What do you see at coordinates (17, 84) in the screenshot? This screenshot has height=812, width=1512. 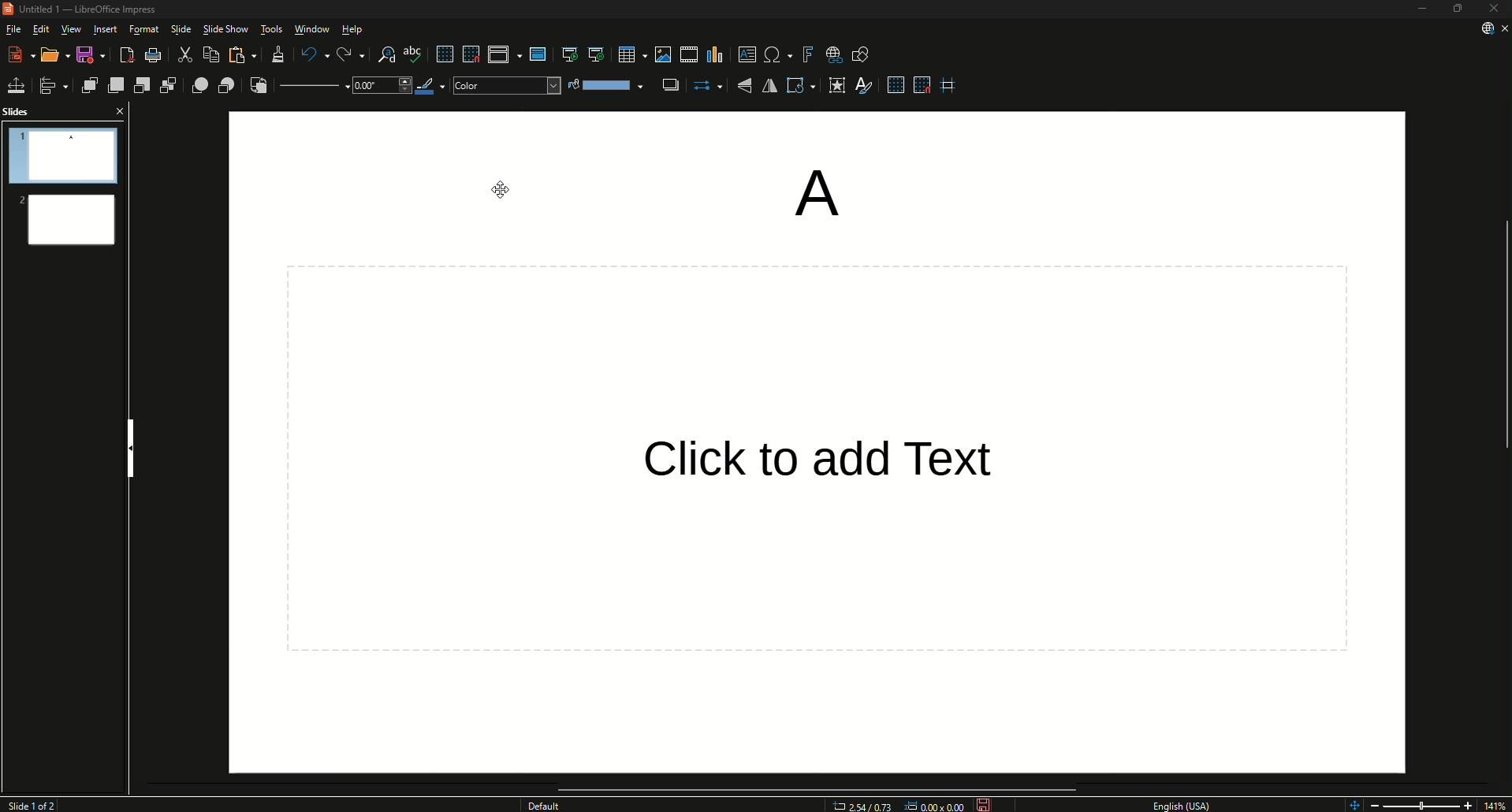 I see `Position and Size` at bounding box center [17, 84].